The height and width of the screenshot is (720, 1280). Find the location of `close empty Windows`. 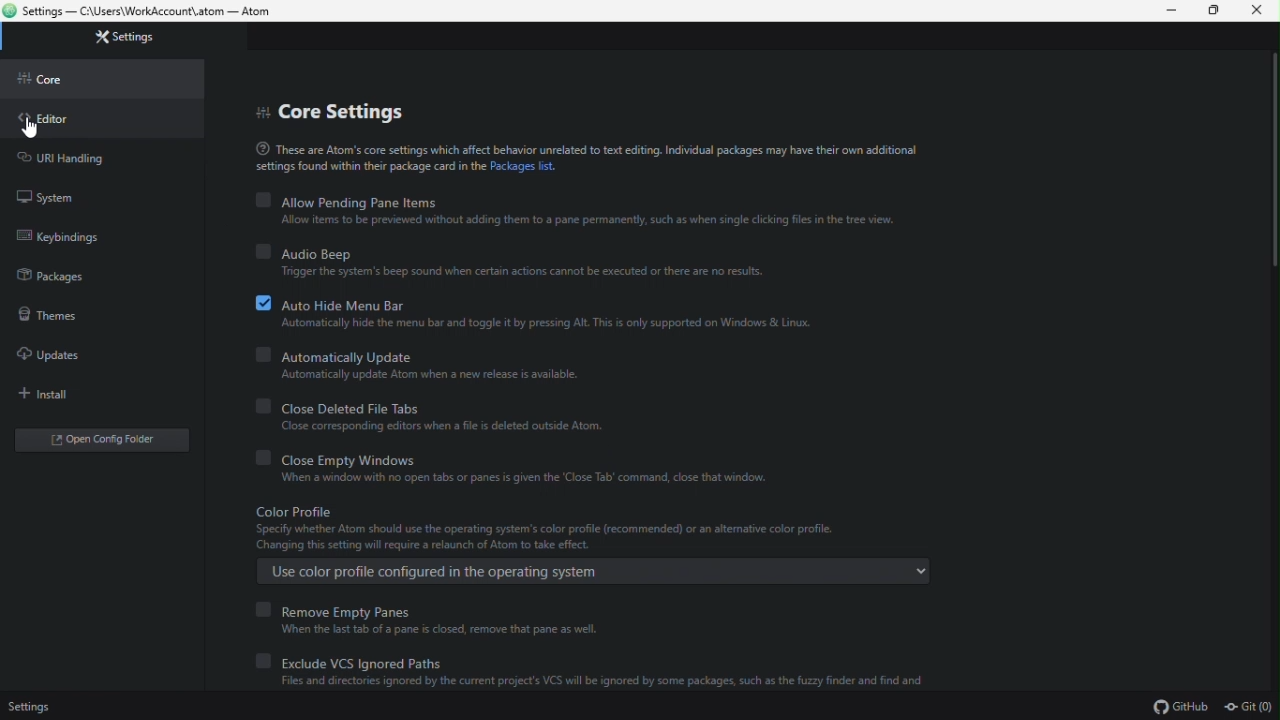

close empty Windows is located at coordinates (537, 457).